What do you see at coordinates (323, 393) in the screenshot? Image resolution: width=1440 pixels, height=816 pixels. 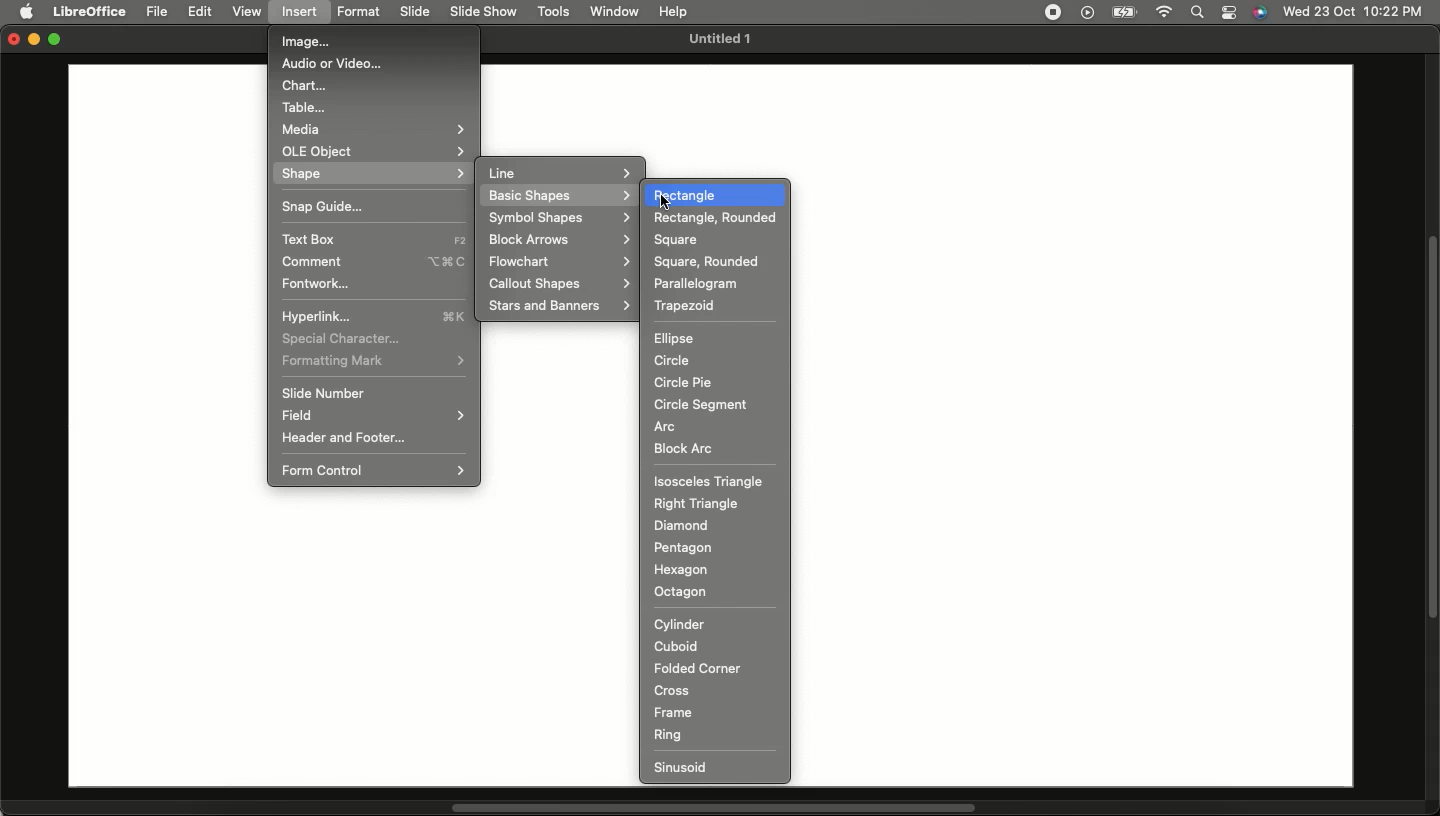 I see `Slide number` at bounding box center [323, 393].